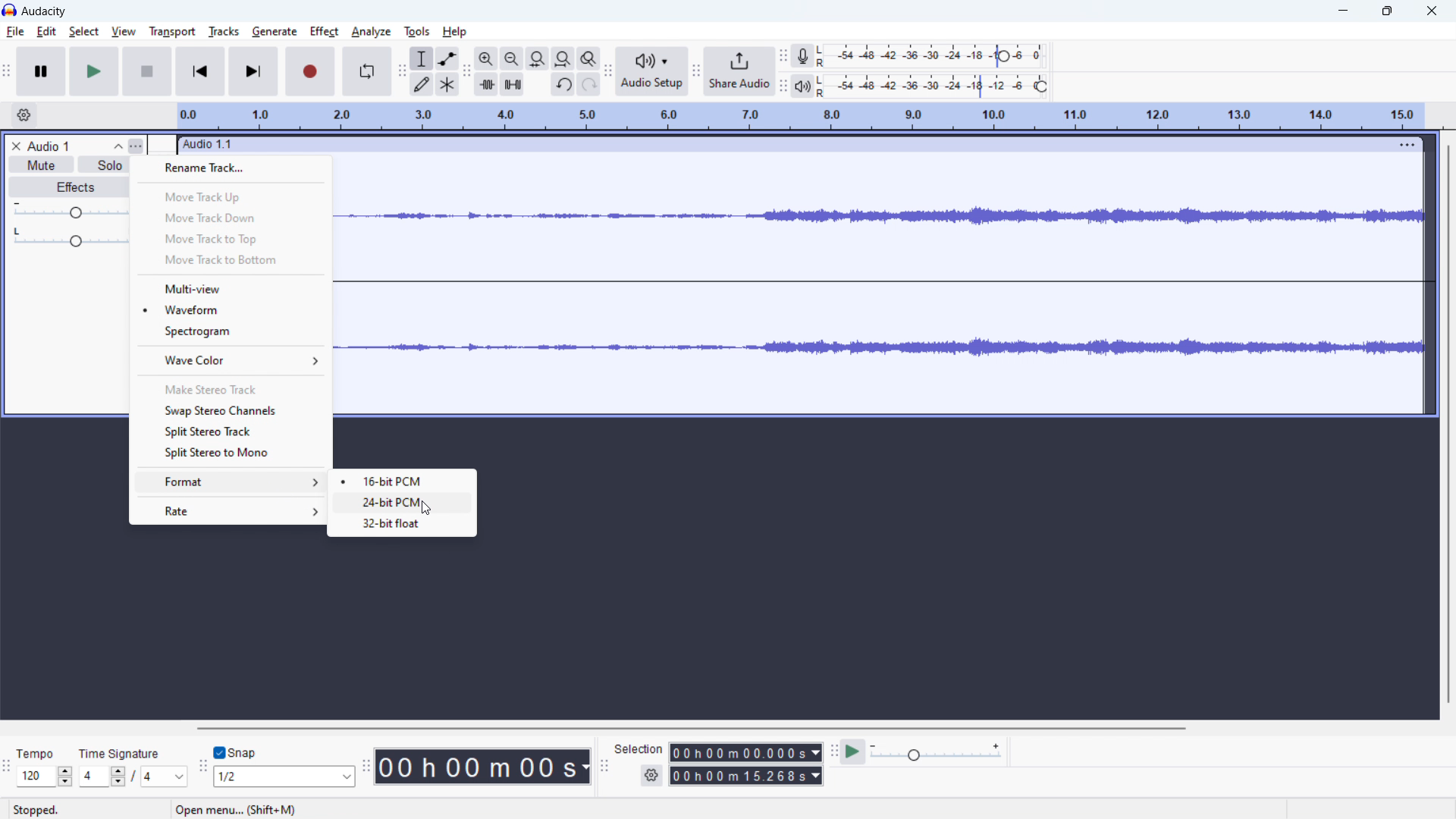  What do you see at coordinates (225, 31) in the screenshot?
I see `tracks` at bounding box center [225, 31].